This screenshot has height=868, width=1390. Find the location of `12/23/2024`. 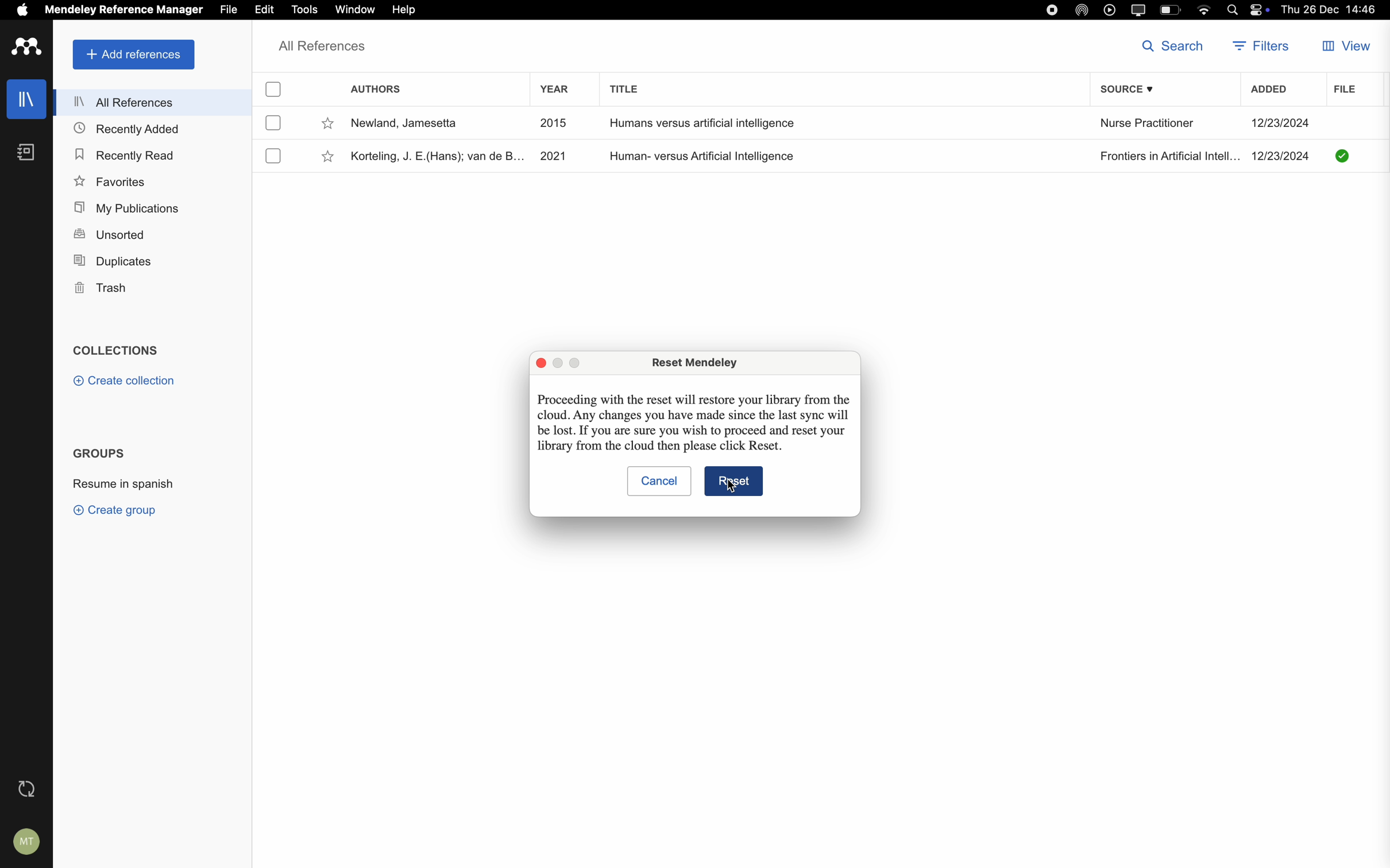

12/23/2024 is located at coordinates (1272, 122).